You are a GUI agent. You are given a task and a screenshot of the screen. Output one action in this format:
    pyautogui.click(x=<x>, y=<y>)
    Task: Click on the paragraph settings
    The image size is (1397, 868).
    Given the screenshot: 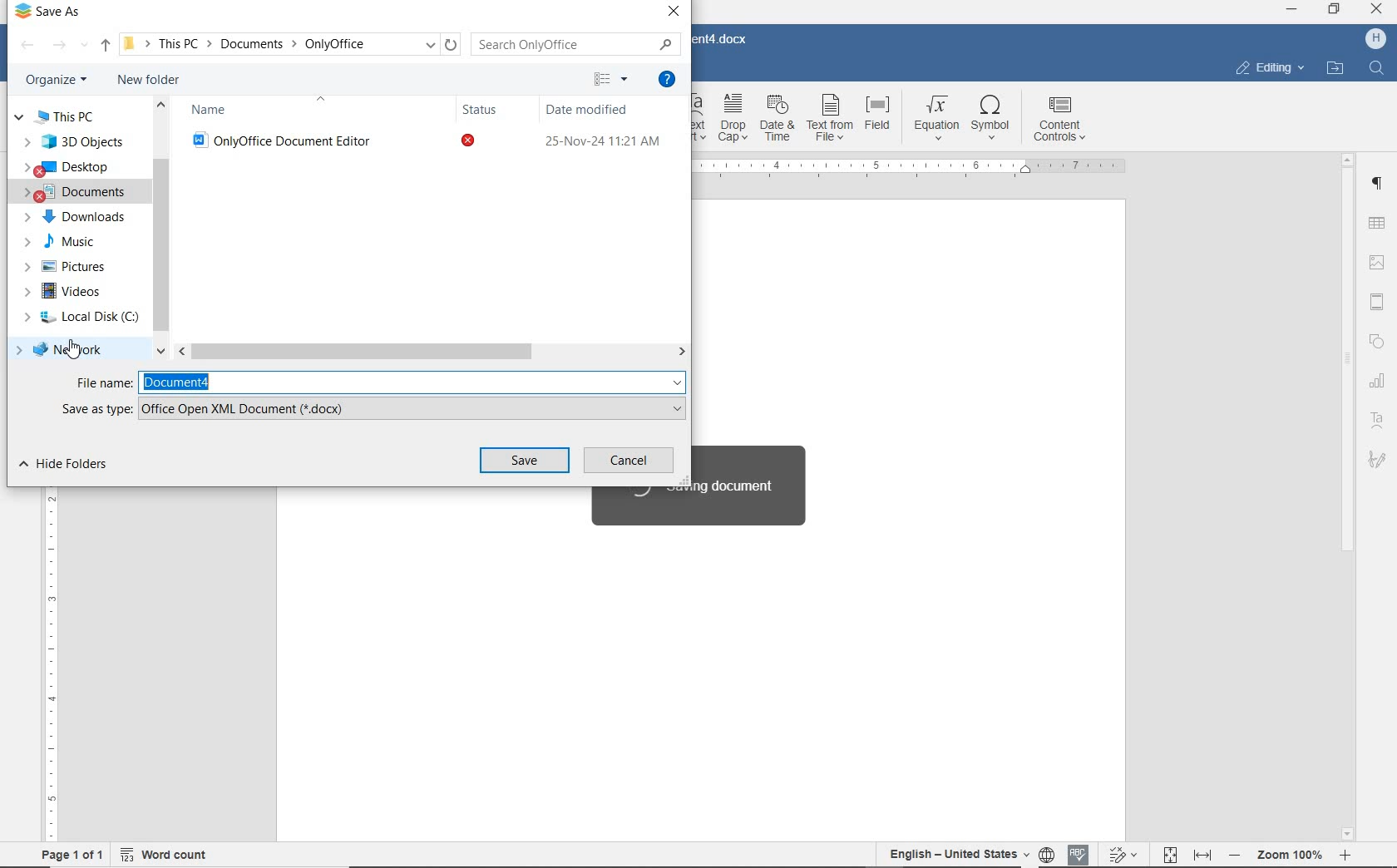 What is the action you would take?
    pyautogui.click(x=1379, y=184)
    